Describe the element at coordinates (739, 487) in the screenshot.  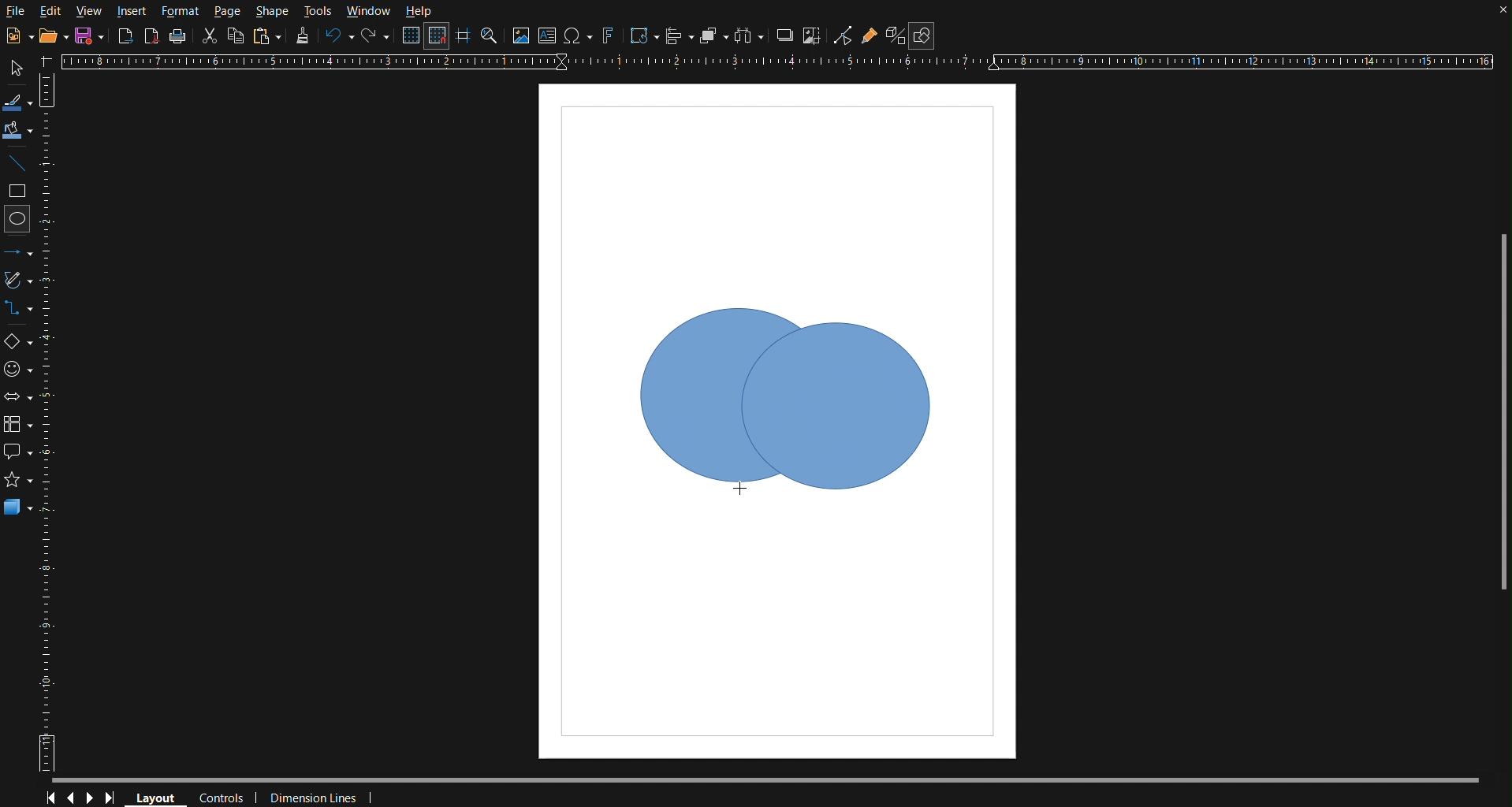
I see `Cursor` at that location.